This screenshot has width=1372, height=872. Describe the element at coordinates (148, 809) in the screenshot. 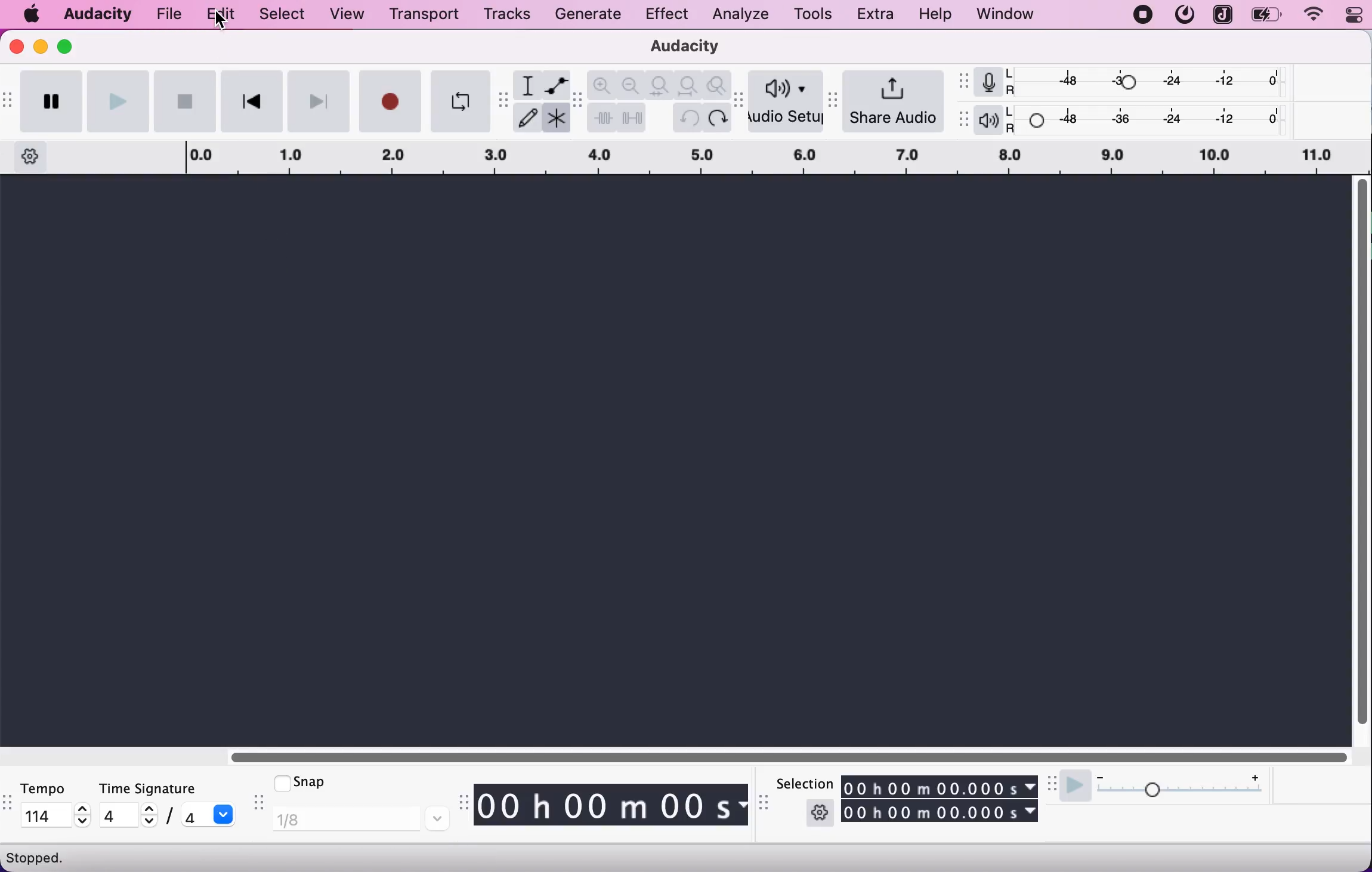

I see `increase` at that location.